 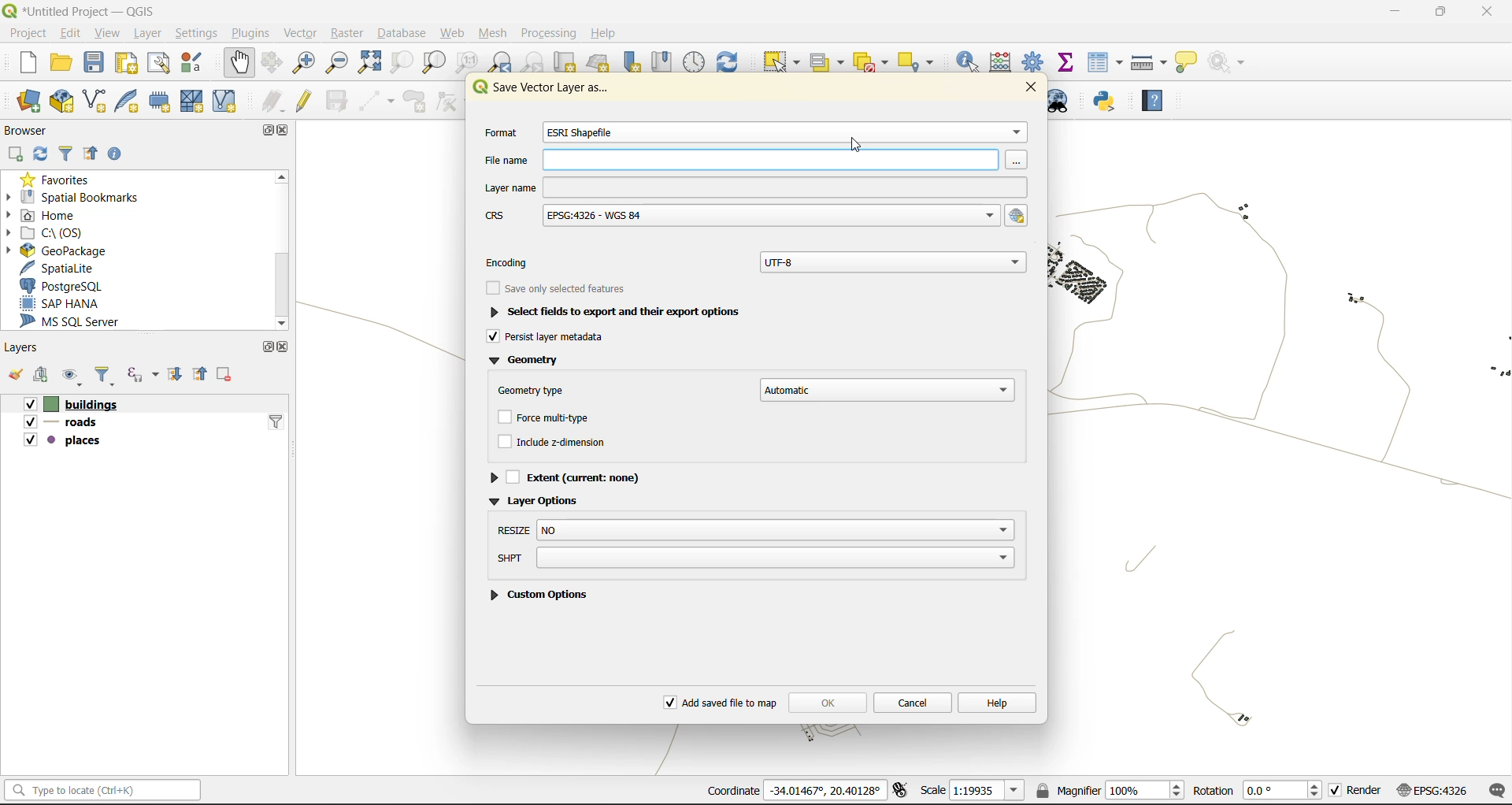 I want to click on raster, so click(x=351, y=33).